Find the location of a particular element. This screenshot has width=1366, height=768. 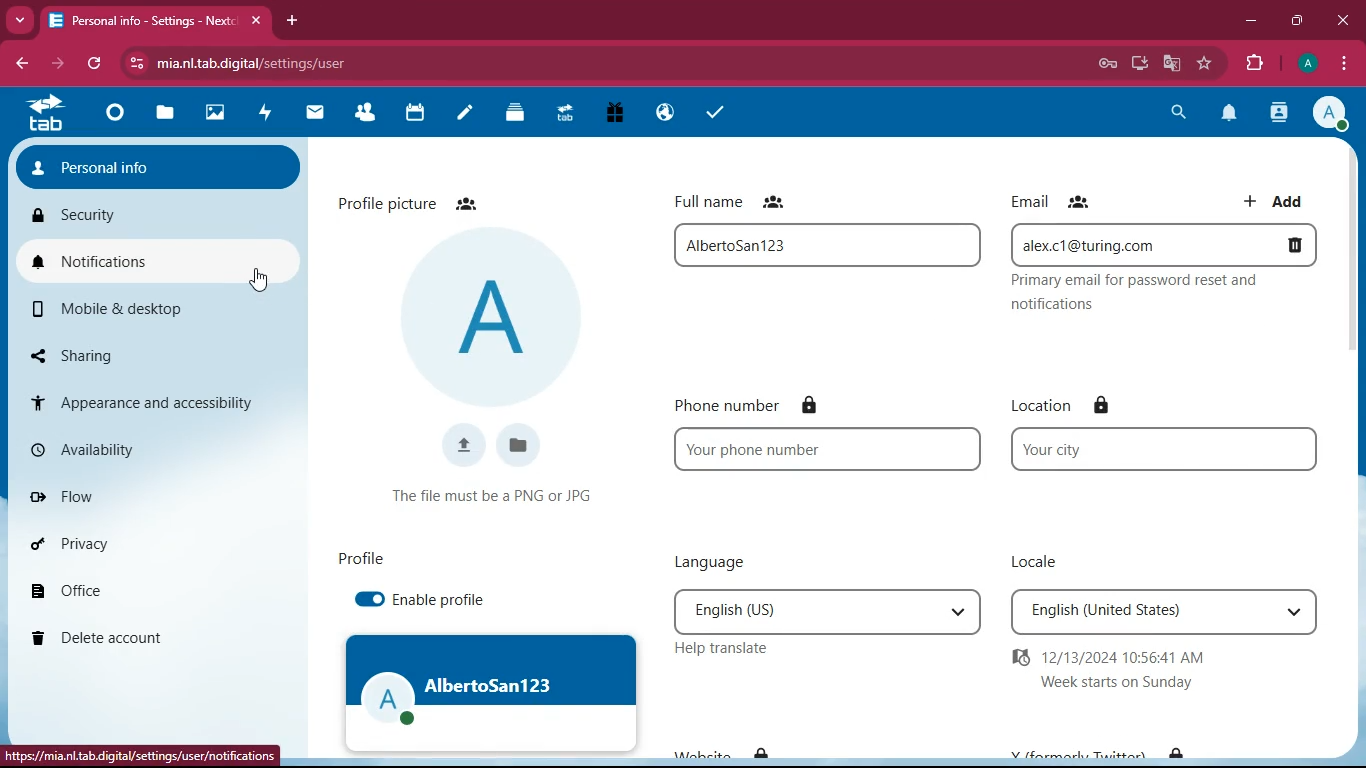

Drop down is located at coordinates (1294, 612).